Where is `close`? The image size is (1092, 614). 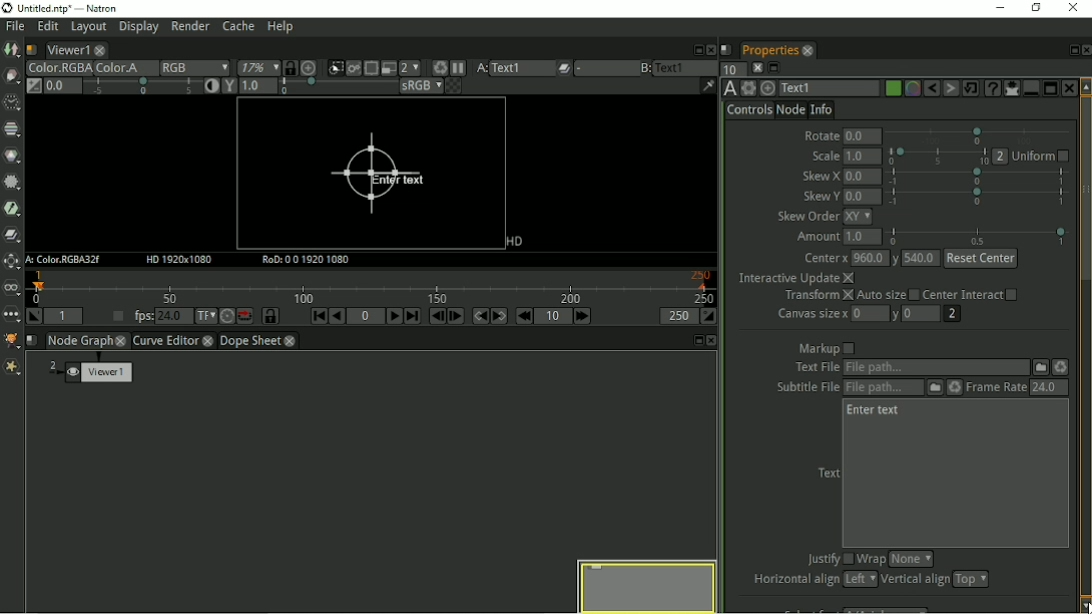
close is located at coordinates (101, 50).